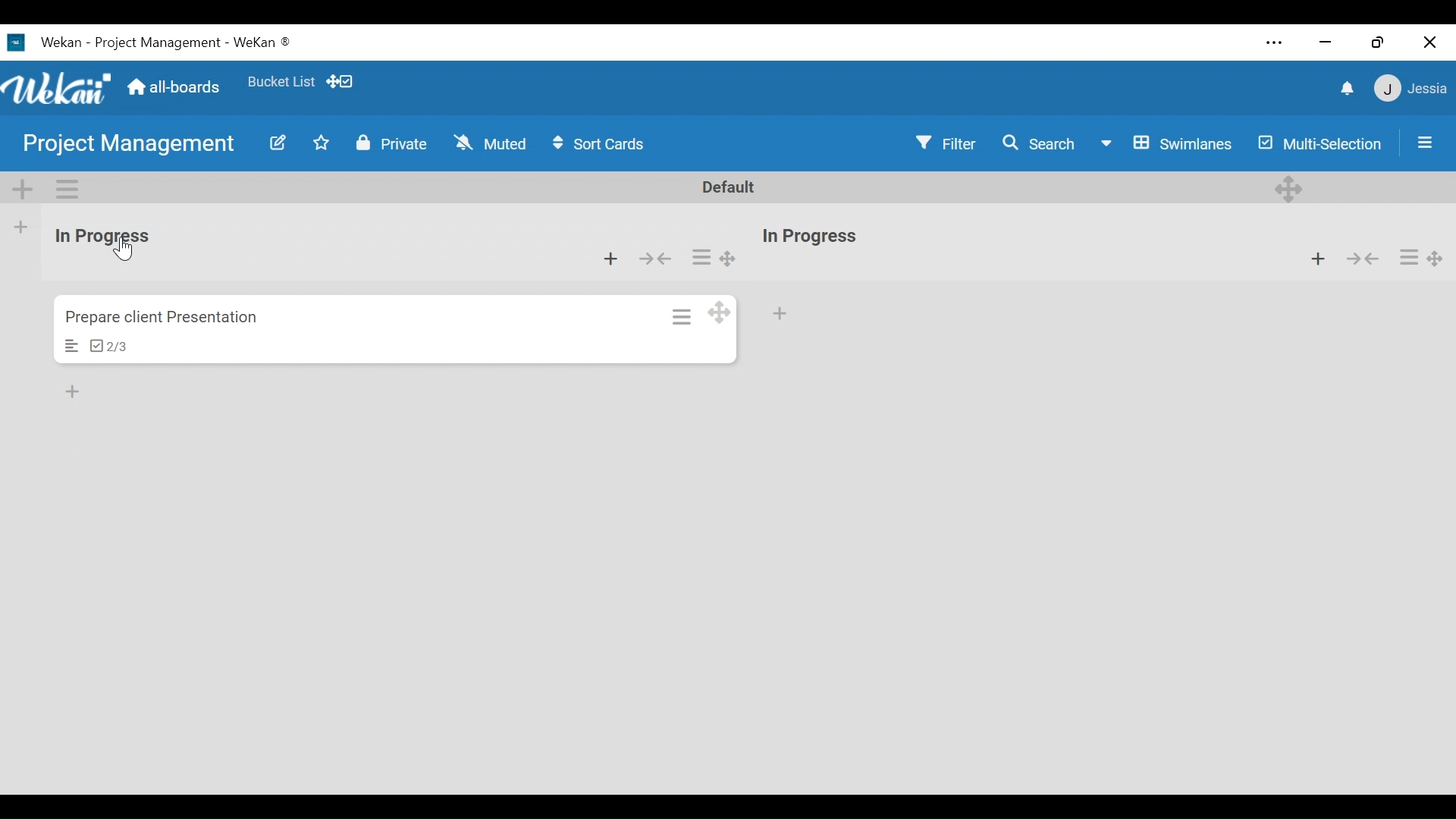 The image size is (1456, 819). Describe the element at coordinates (127, 252) in the screenshot. I see `Cursor` at that location.